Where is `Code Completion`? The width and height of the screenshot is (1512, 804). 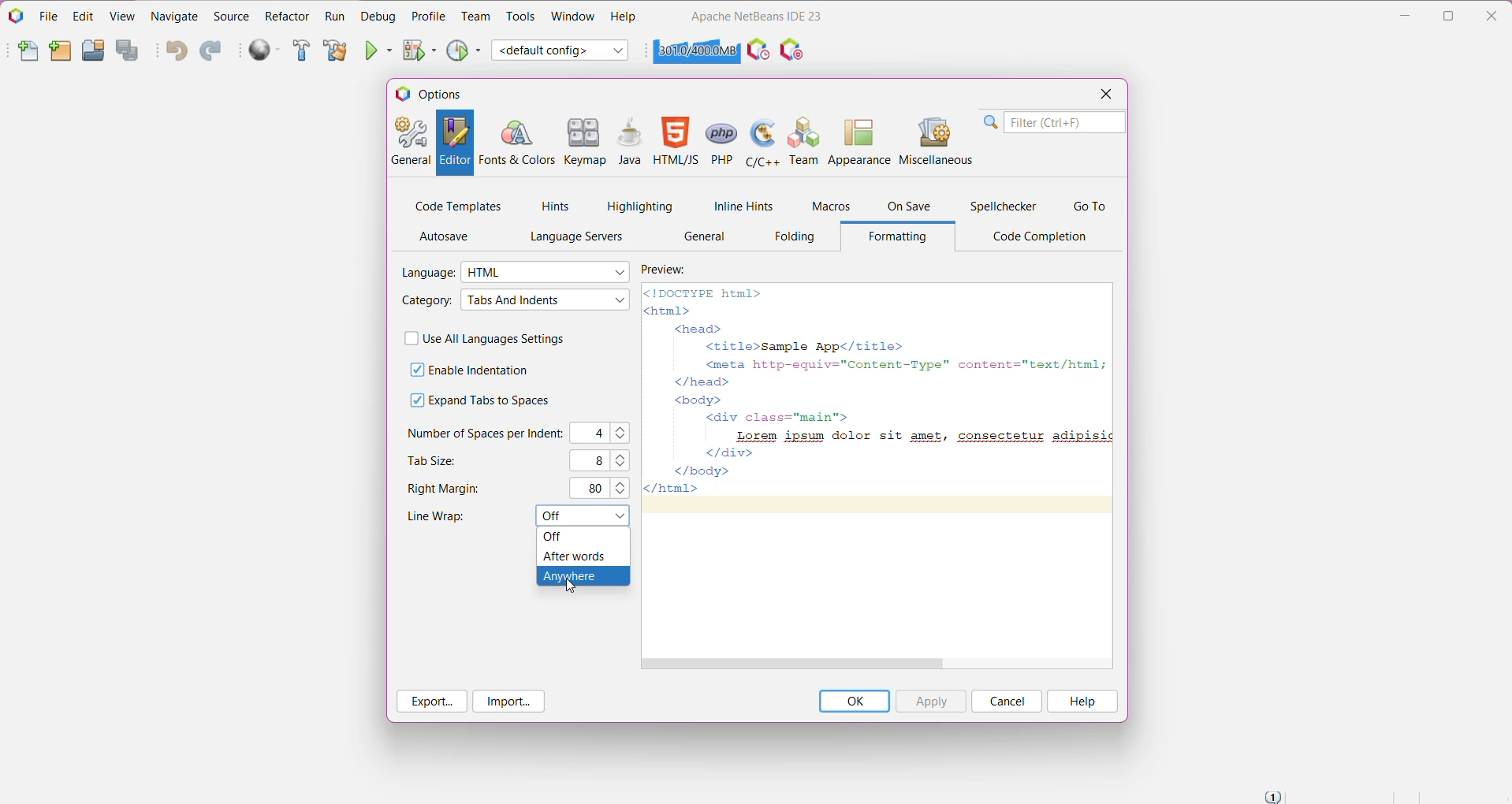
Code Completion is located at coordinates (1044, 237).